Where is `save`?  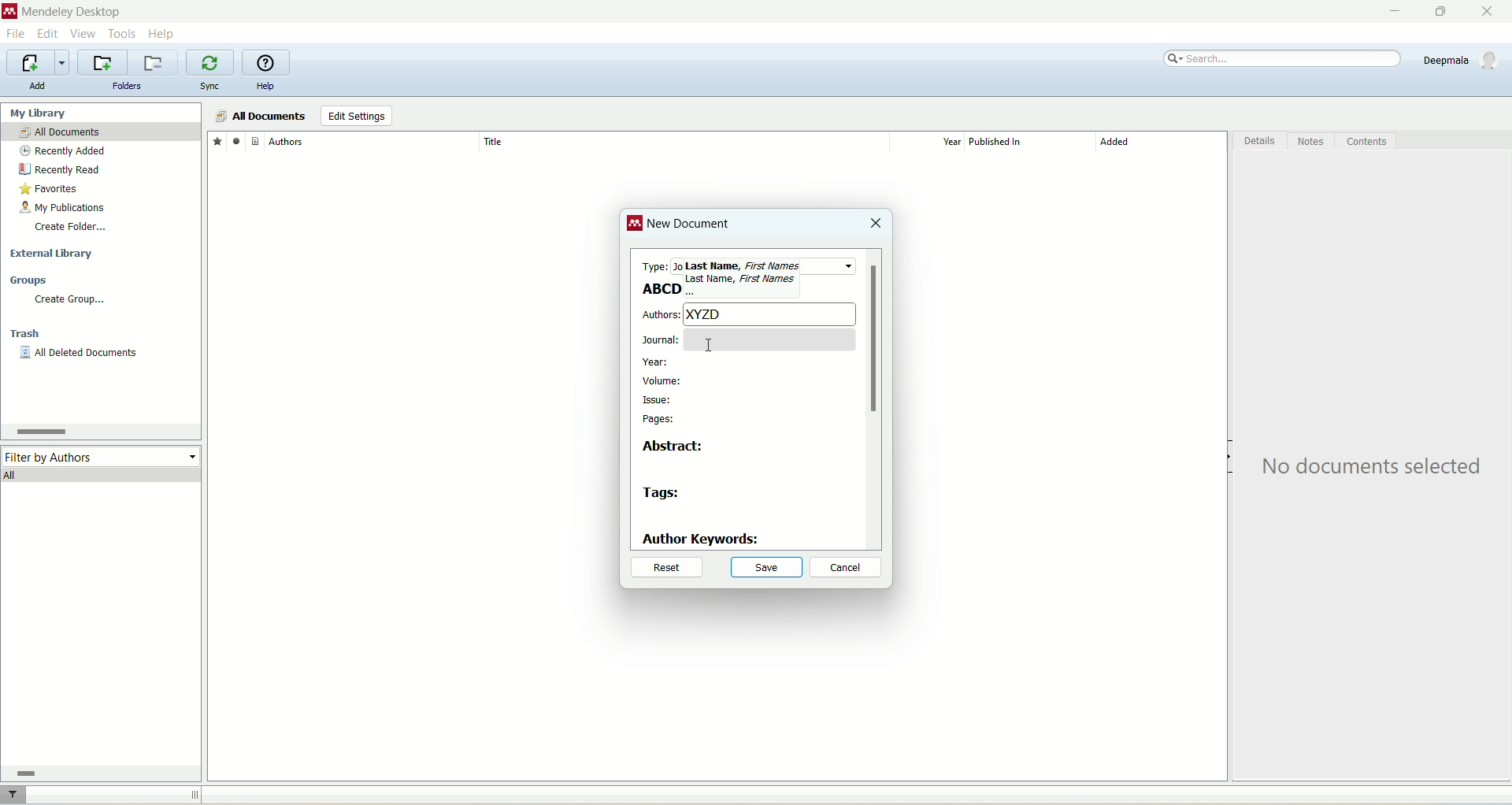 save is located at coordinates (767, 566).